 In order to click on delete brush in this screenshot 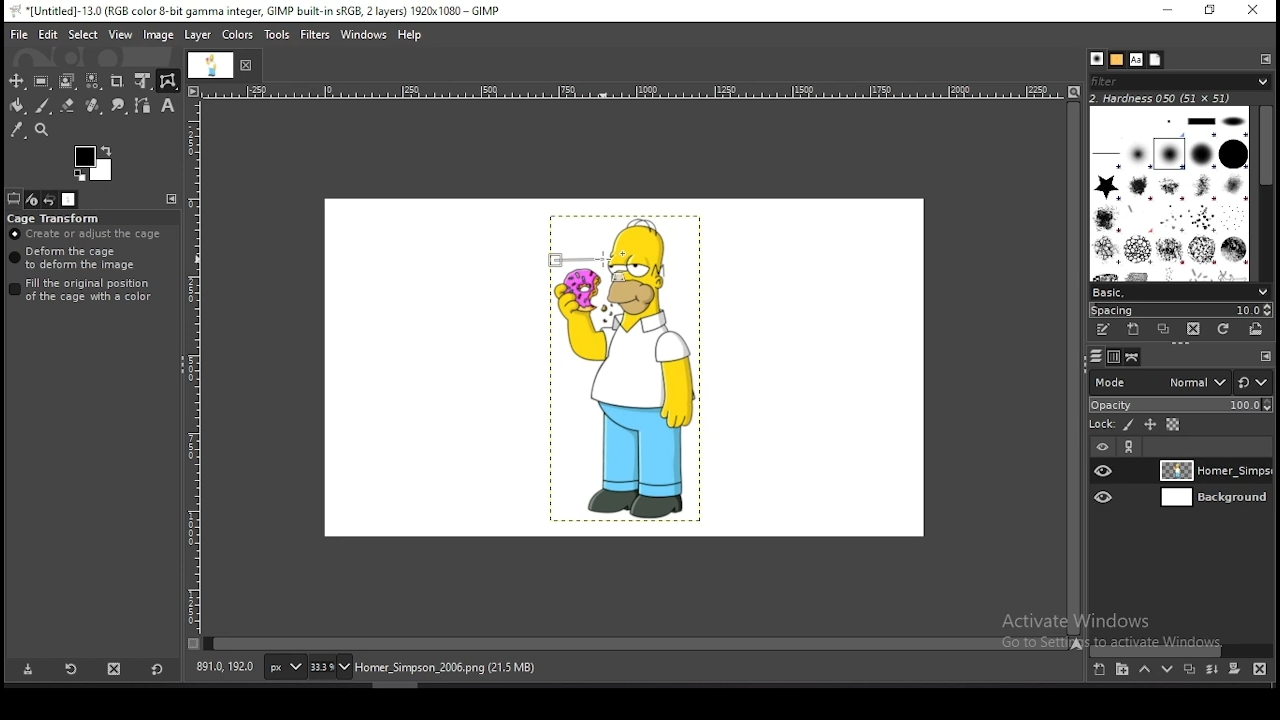, I will do `click(1195, 330)`.